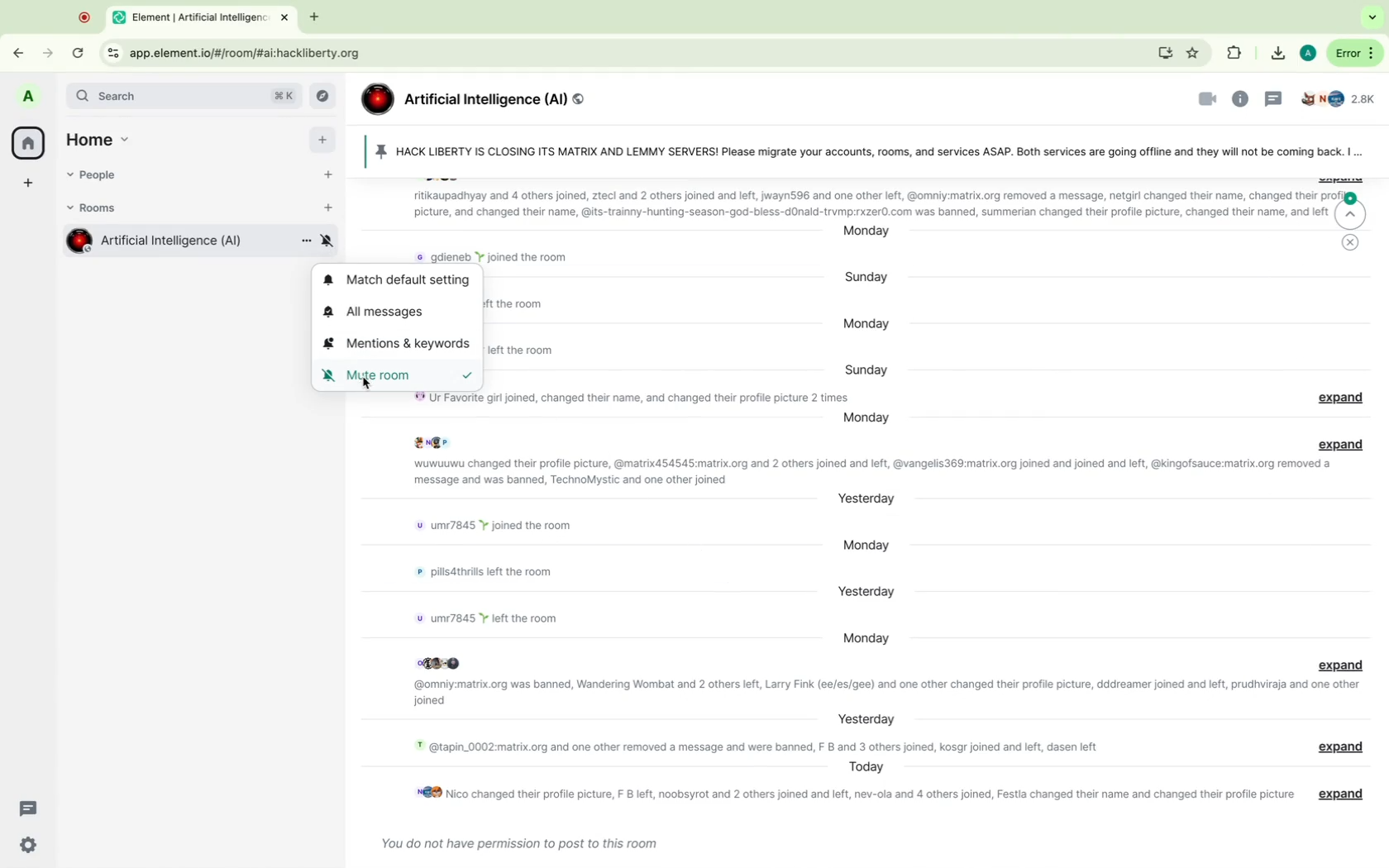 The image size is (1389, 868). Describe the element at coordinates (399, 375) in the screenshot. I see `mute room` at that location.